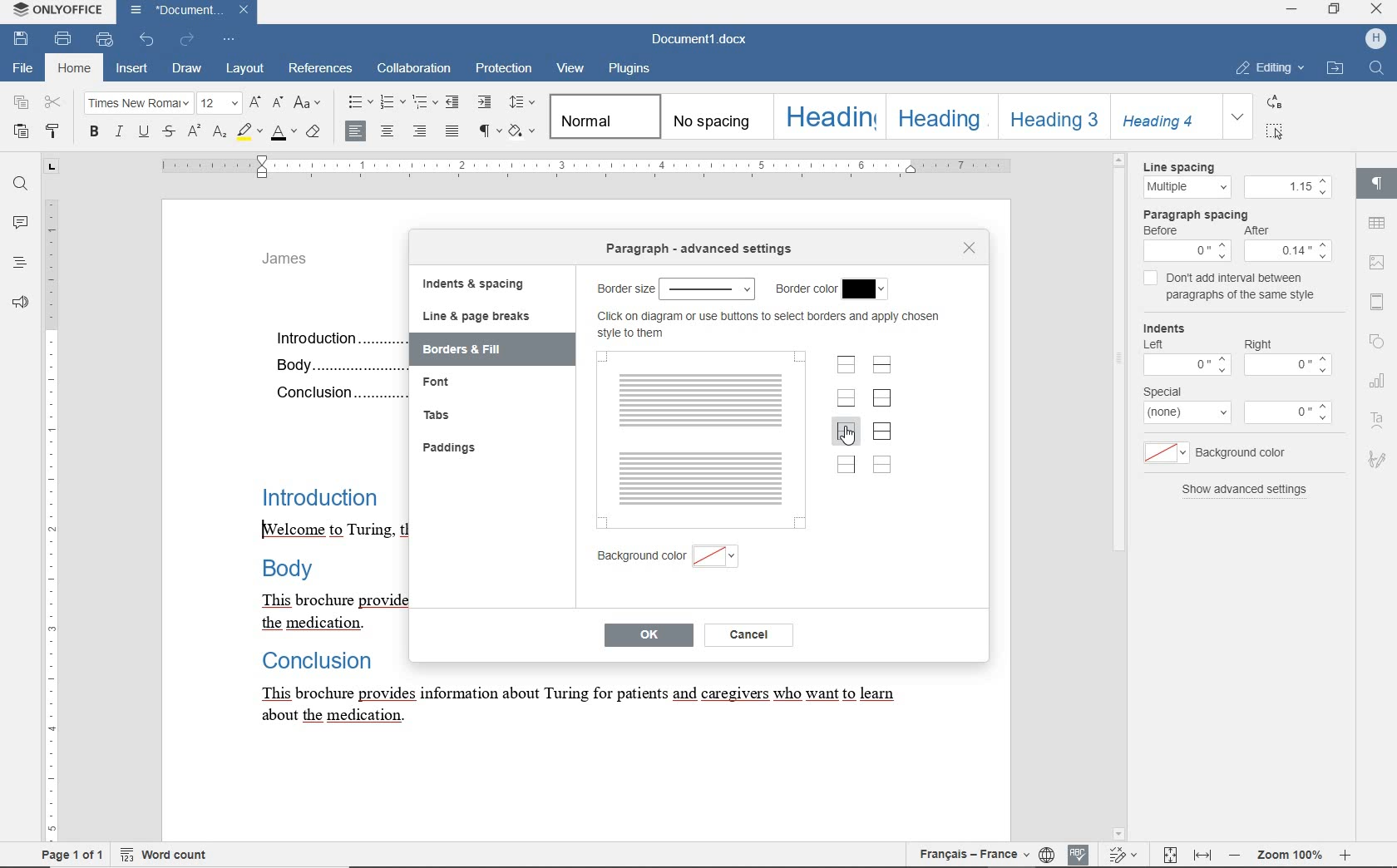 The image size is (1397, 868). I want to click on scroll bar, so click(1113, 496).